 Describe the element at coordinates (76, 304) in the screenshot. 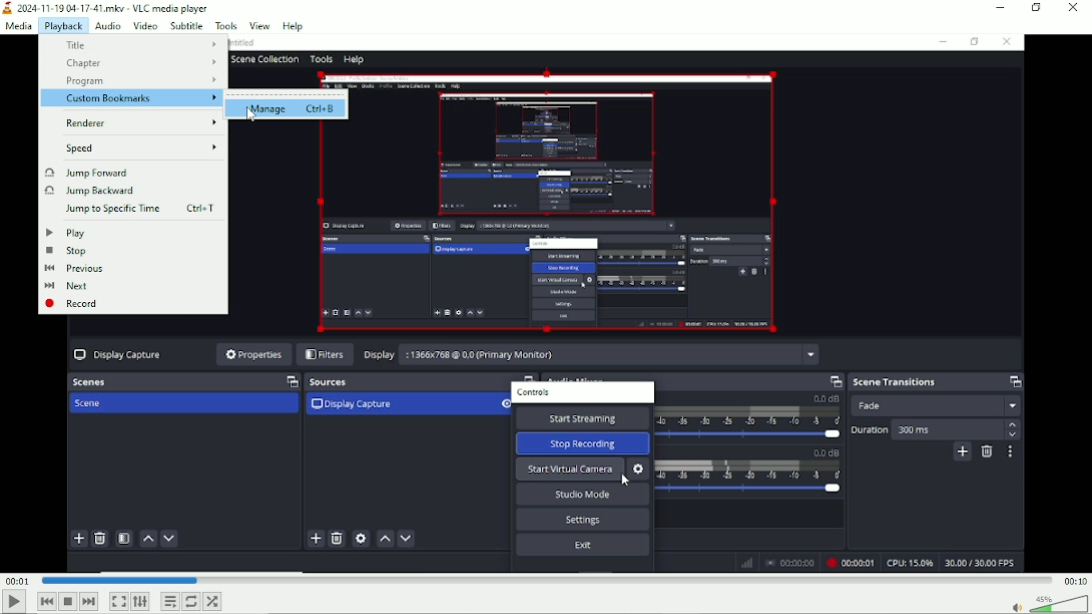

I see `record` at that location.